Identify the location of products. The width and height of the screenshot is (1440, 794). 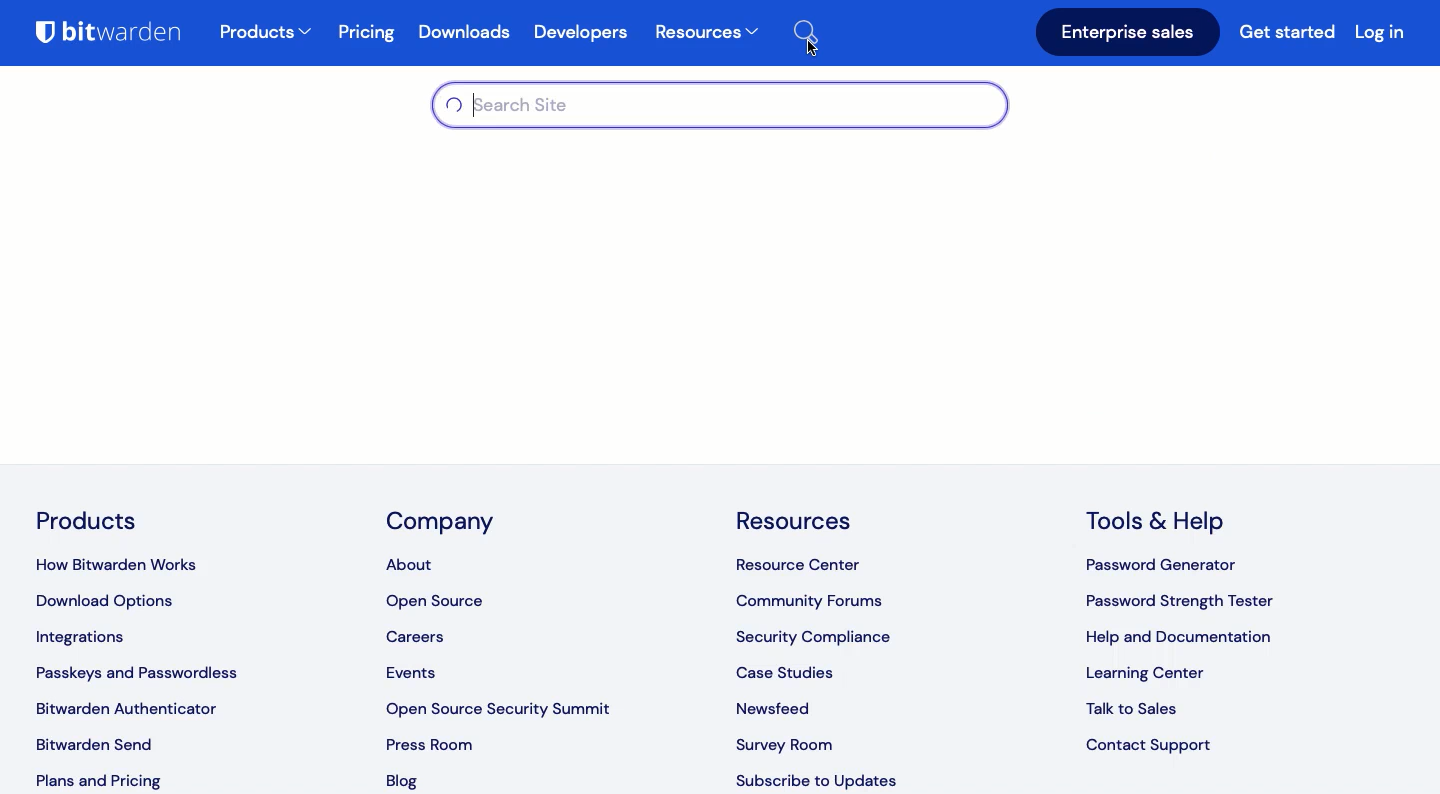
(88, 520).